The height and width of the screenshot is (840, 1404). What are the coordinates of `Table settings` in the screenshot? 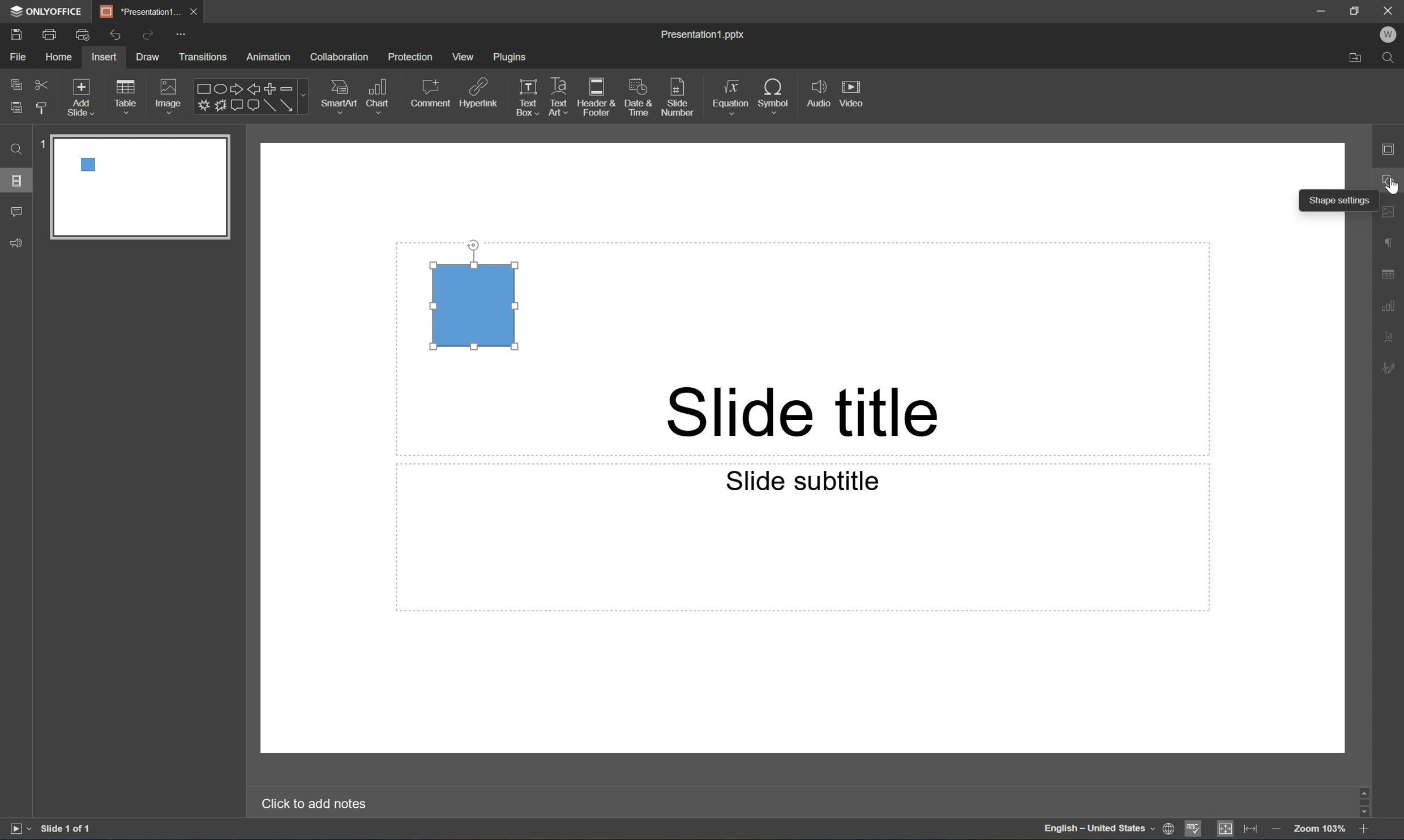 It's located at (1391, 275).